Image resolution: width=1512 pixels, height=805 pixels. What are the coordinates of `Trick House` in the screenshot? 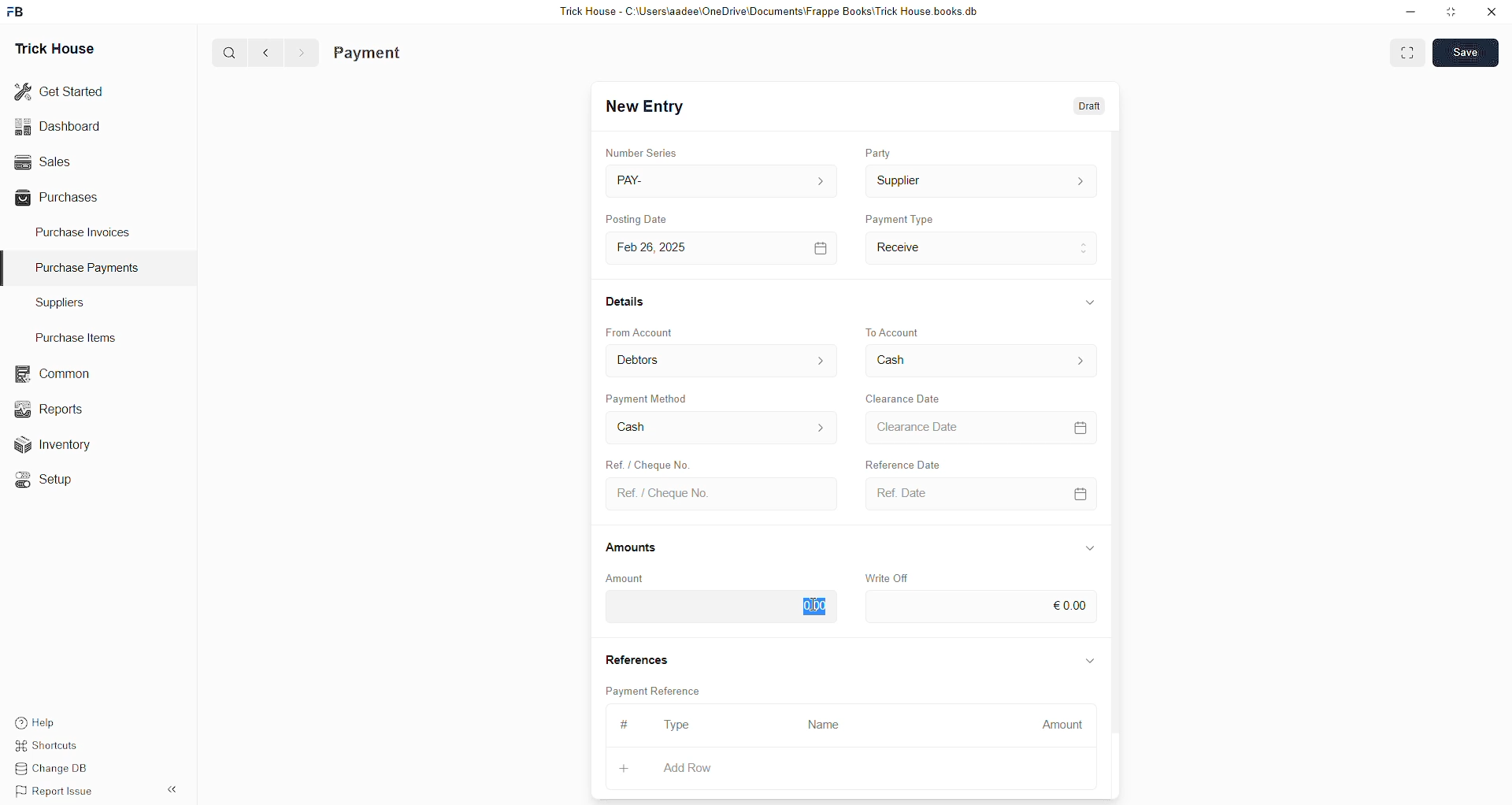 It's located at (57, 46).